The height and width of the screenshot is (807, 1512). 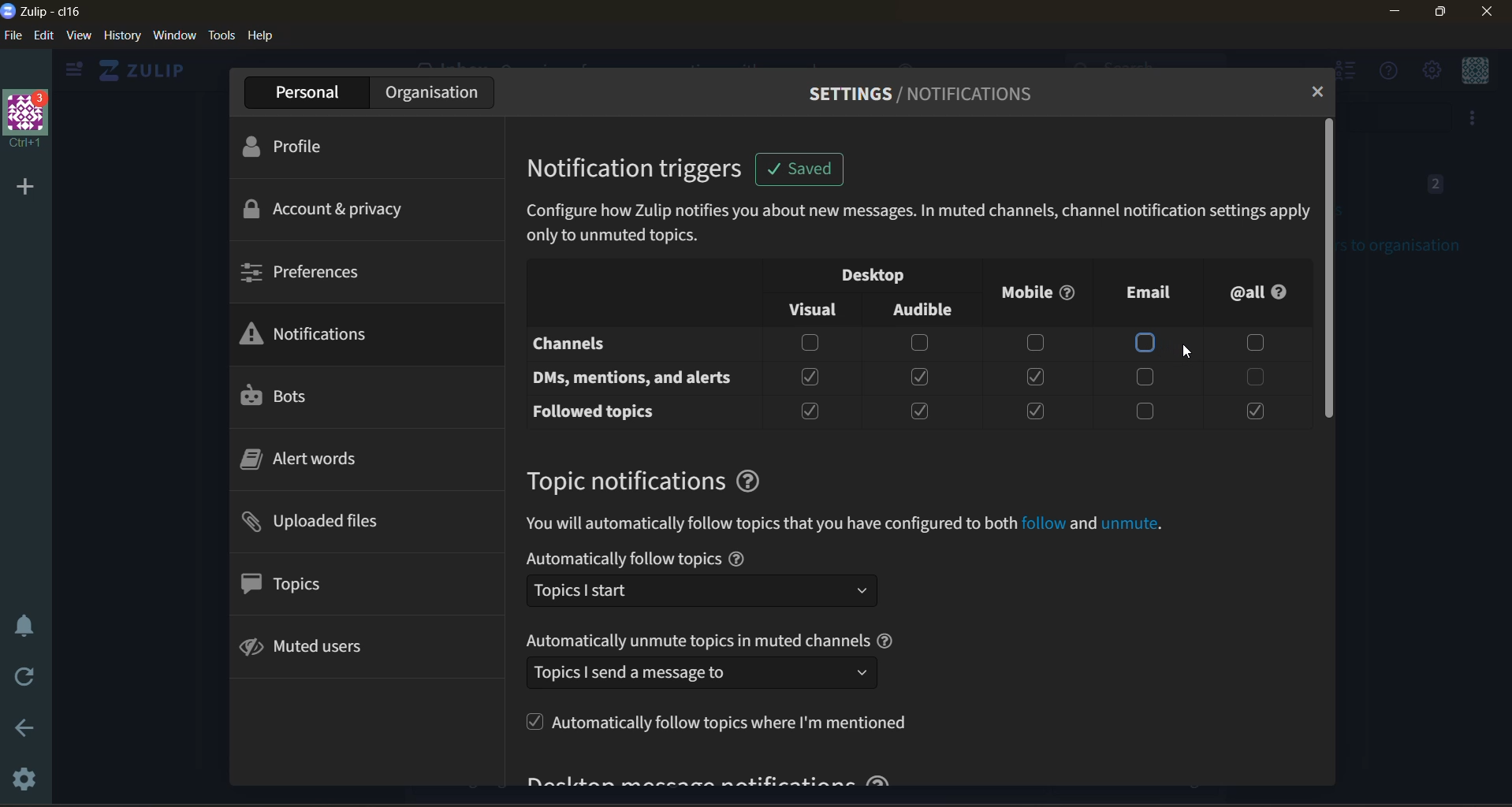 I want to click on enable do not disturb, so click(x=22, y=623).